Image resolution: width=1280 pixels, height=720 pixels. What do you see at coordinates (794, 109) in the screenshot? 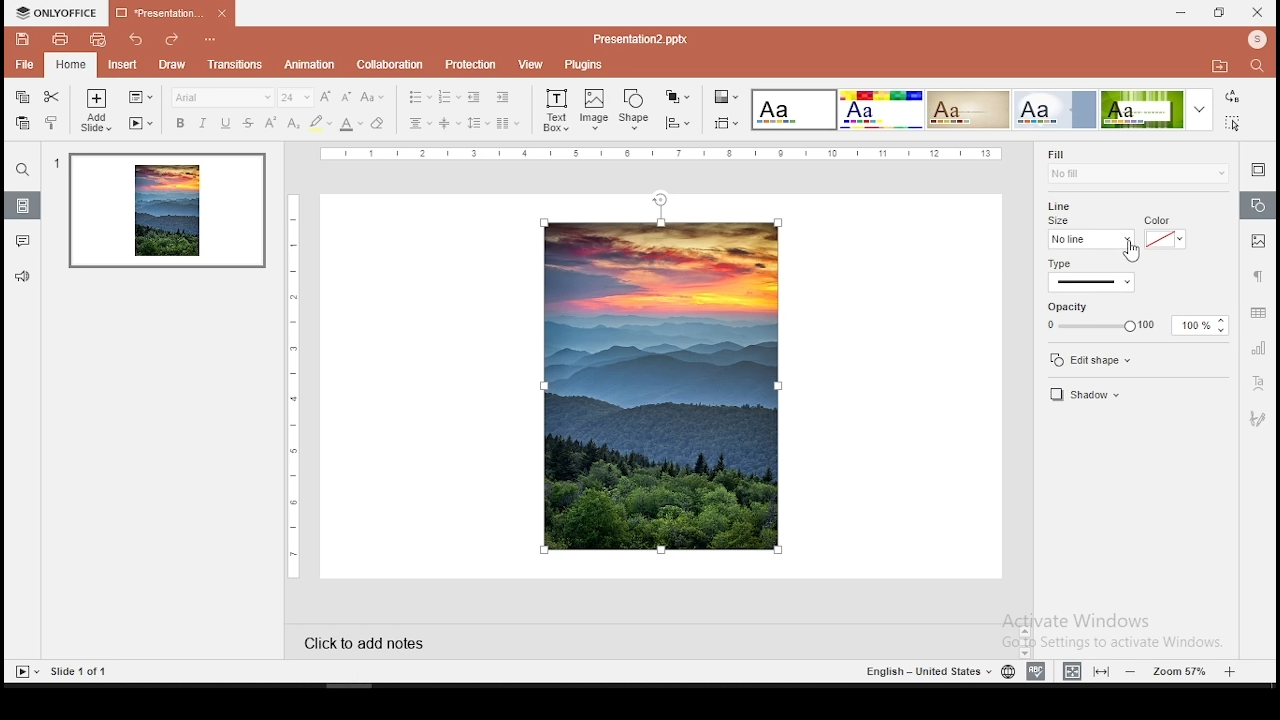
I see `theme ` at bounding box center [794, 109].